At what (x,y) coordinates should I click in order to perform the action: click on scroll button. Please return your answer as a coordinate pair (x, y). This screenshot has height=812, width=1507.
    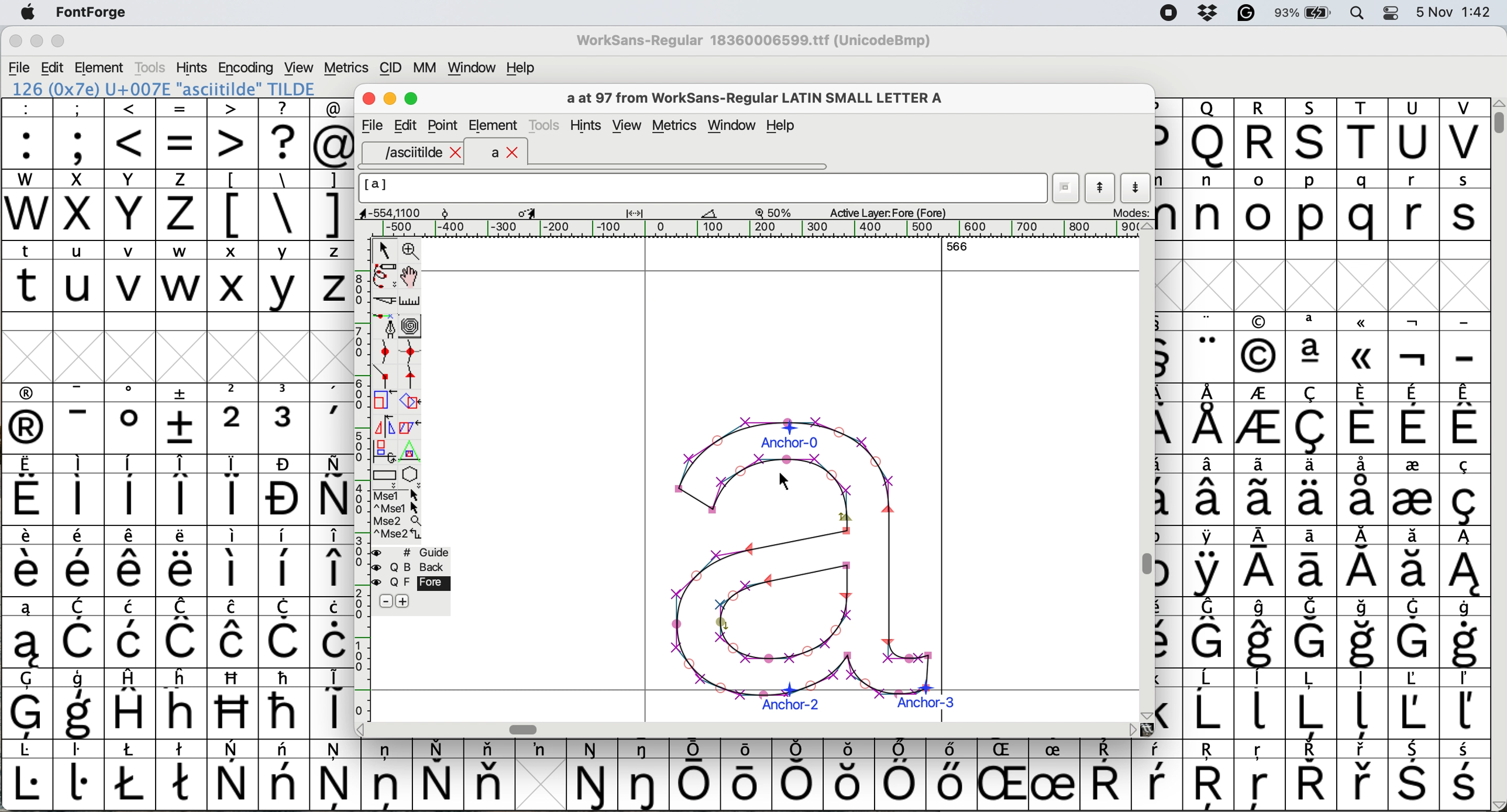
    Looking at the image, I should click on (1497, 804).